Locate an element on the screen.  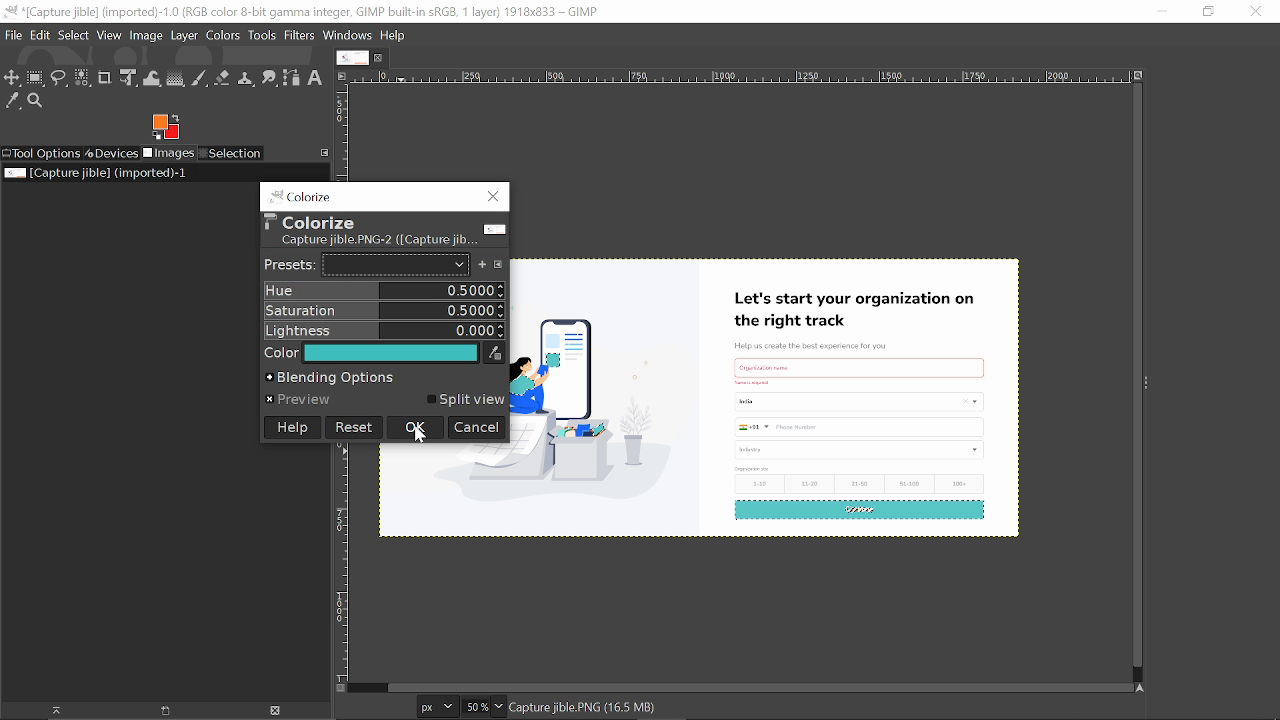
Colors is located at coordinates (222, 36).